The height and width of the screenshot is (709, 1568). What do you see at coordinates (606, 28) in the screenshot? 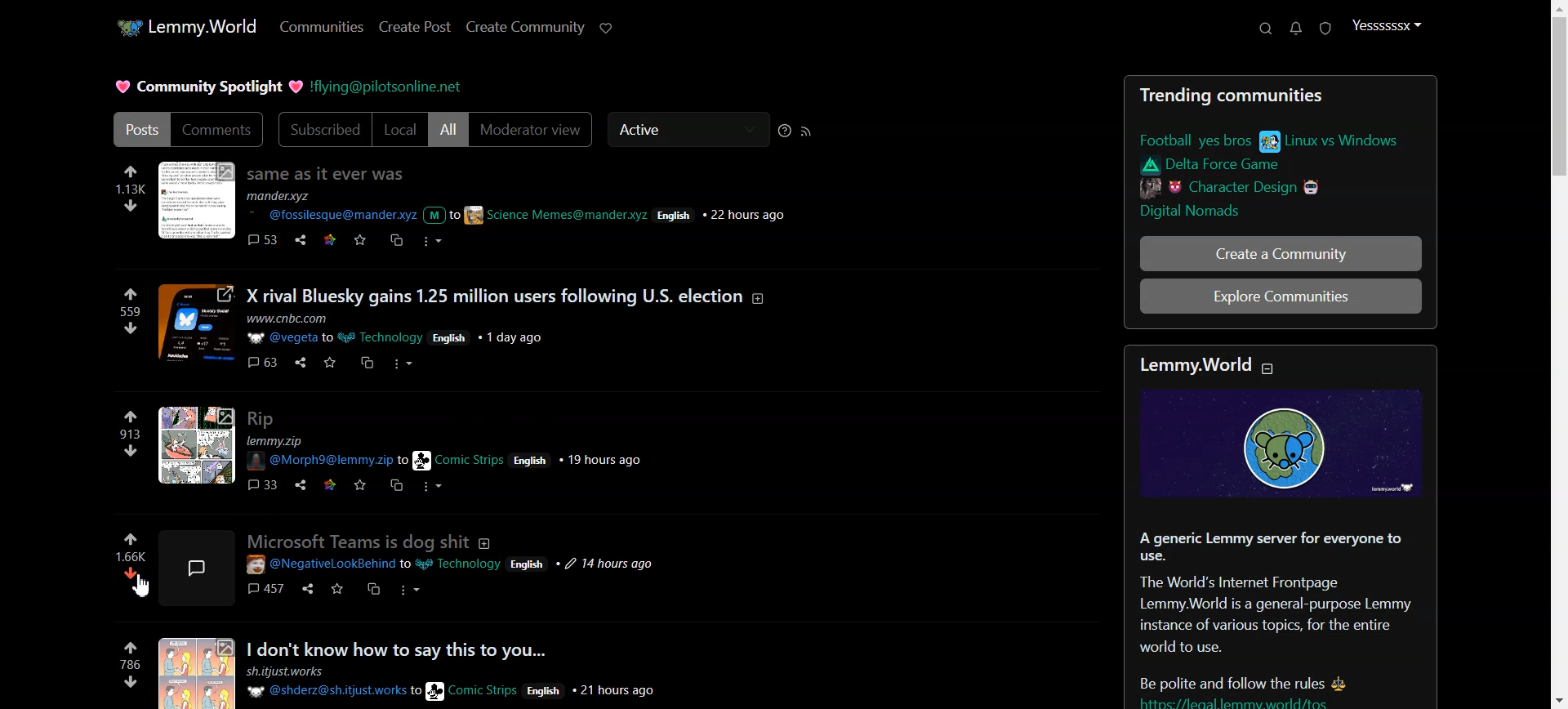
I see `Support Lemmy` at bounding box center [606, 28].